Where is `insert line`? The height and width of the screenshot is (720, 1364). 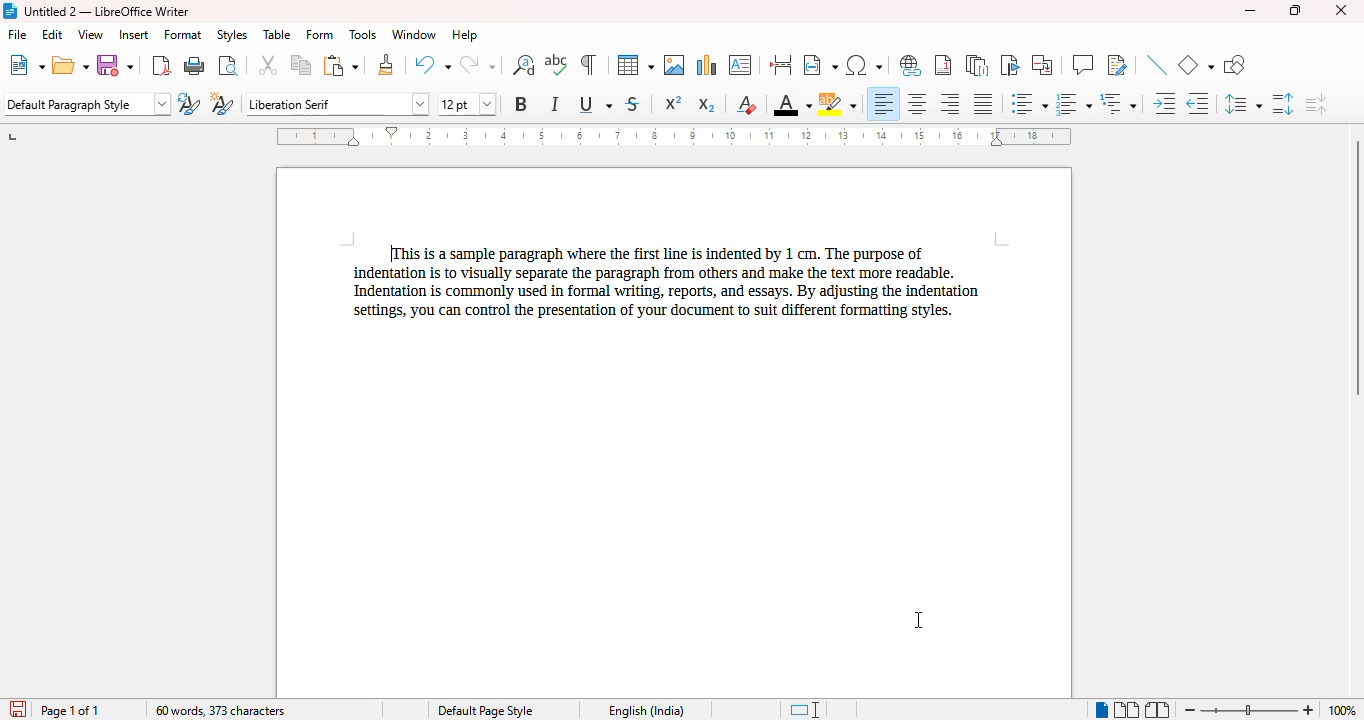
insert line is located at coordinates (1157, 65).